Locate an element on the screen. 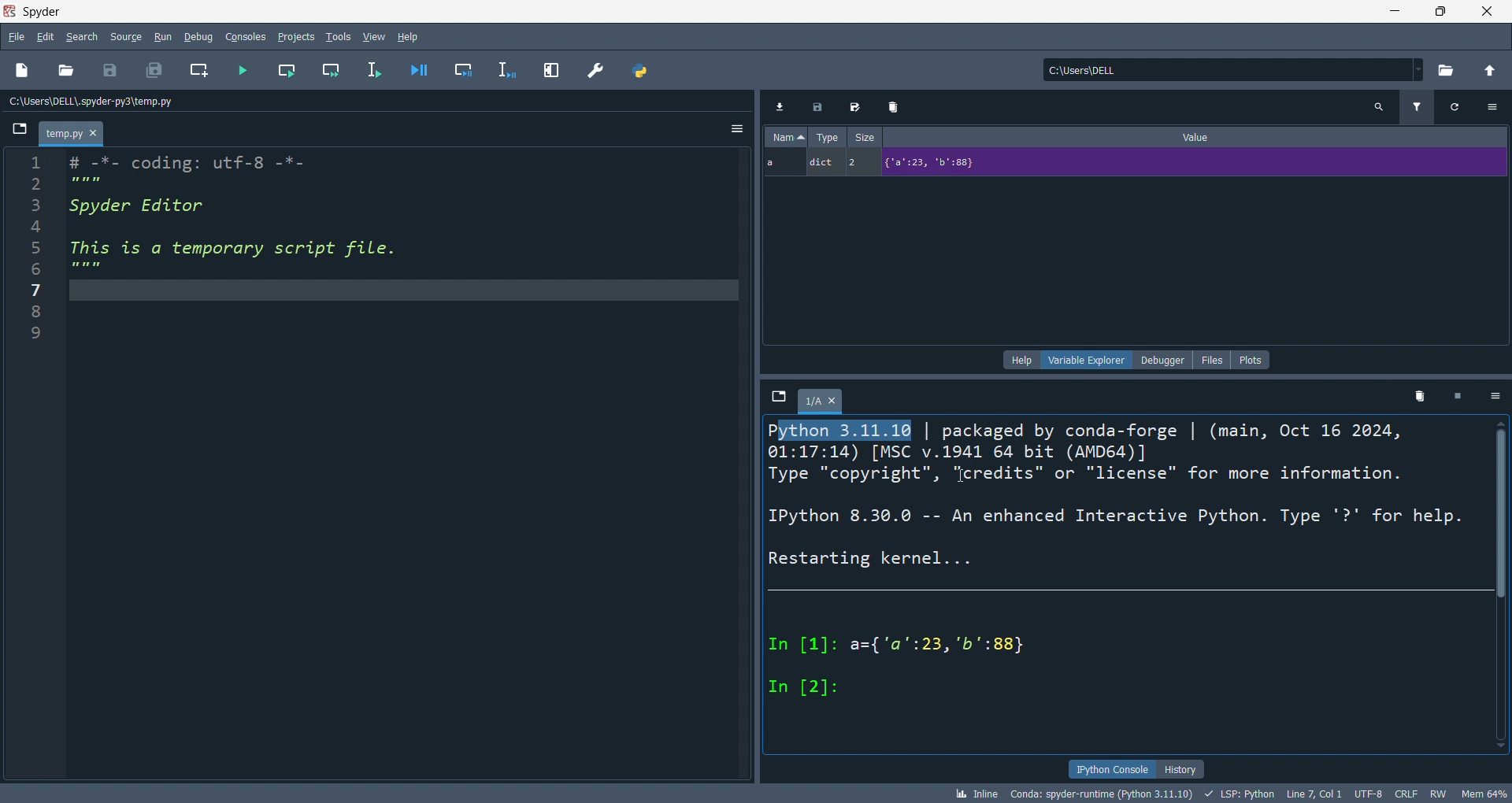  debugger is located at coordinates (1162, 360).